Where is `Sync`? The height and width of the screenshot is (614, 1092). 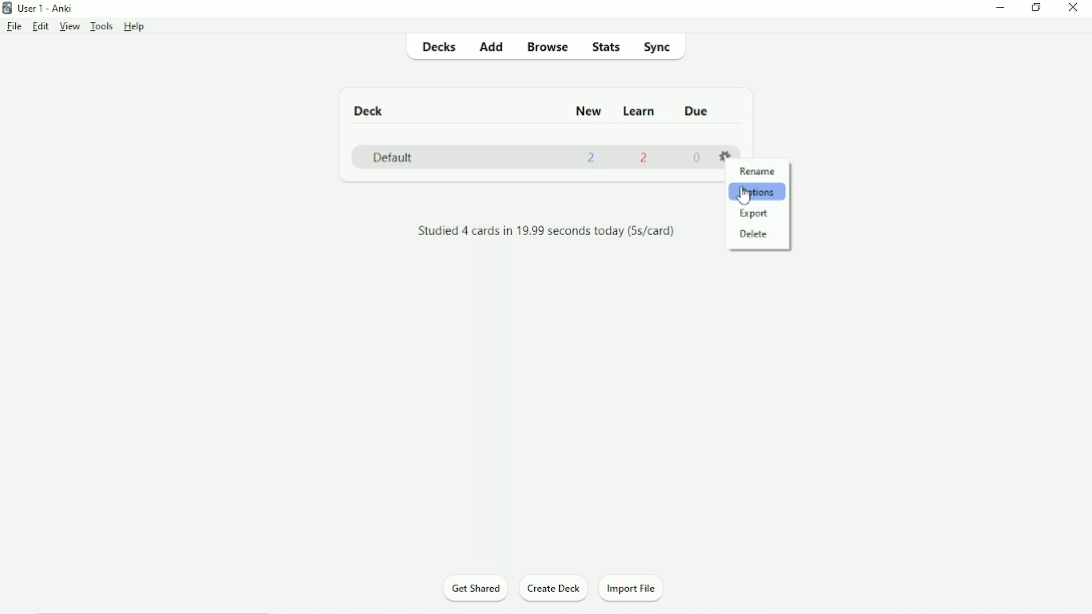 Sync is located at coordinates (661, 47).